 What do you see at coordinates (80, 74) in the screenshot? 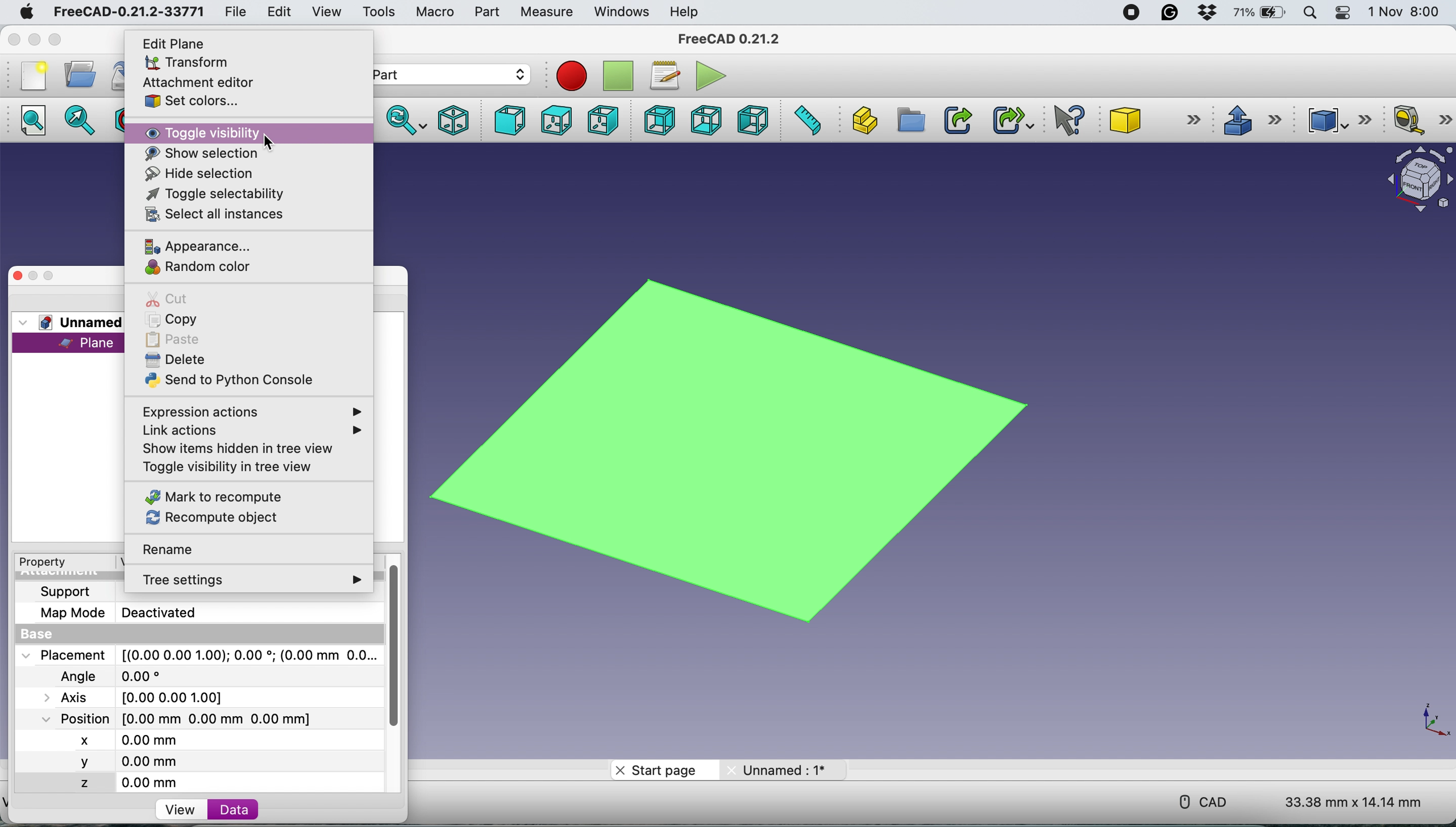
I see `open` at bounding box center [80, 74].